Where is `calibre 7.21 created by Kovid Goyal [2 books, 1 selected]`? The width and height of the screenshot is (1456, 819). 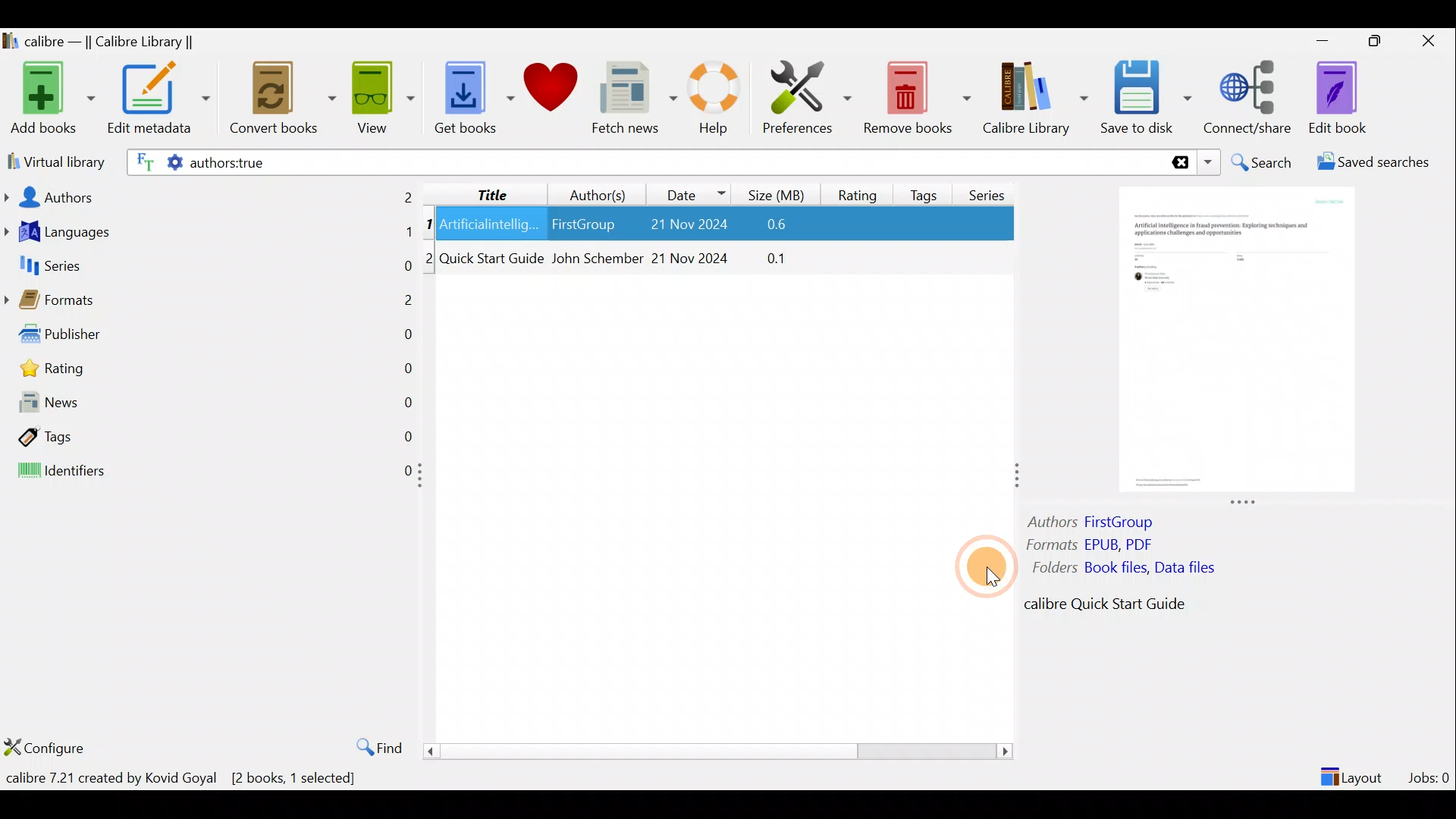 calibre 7.21 created by Kovid Goyal [2 books, 1 selected] is located at coordinates (187, 777).